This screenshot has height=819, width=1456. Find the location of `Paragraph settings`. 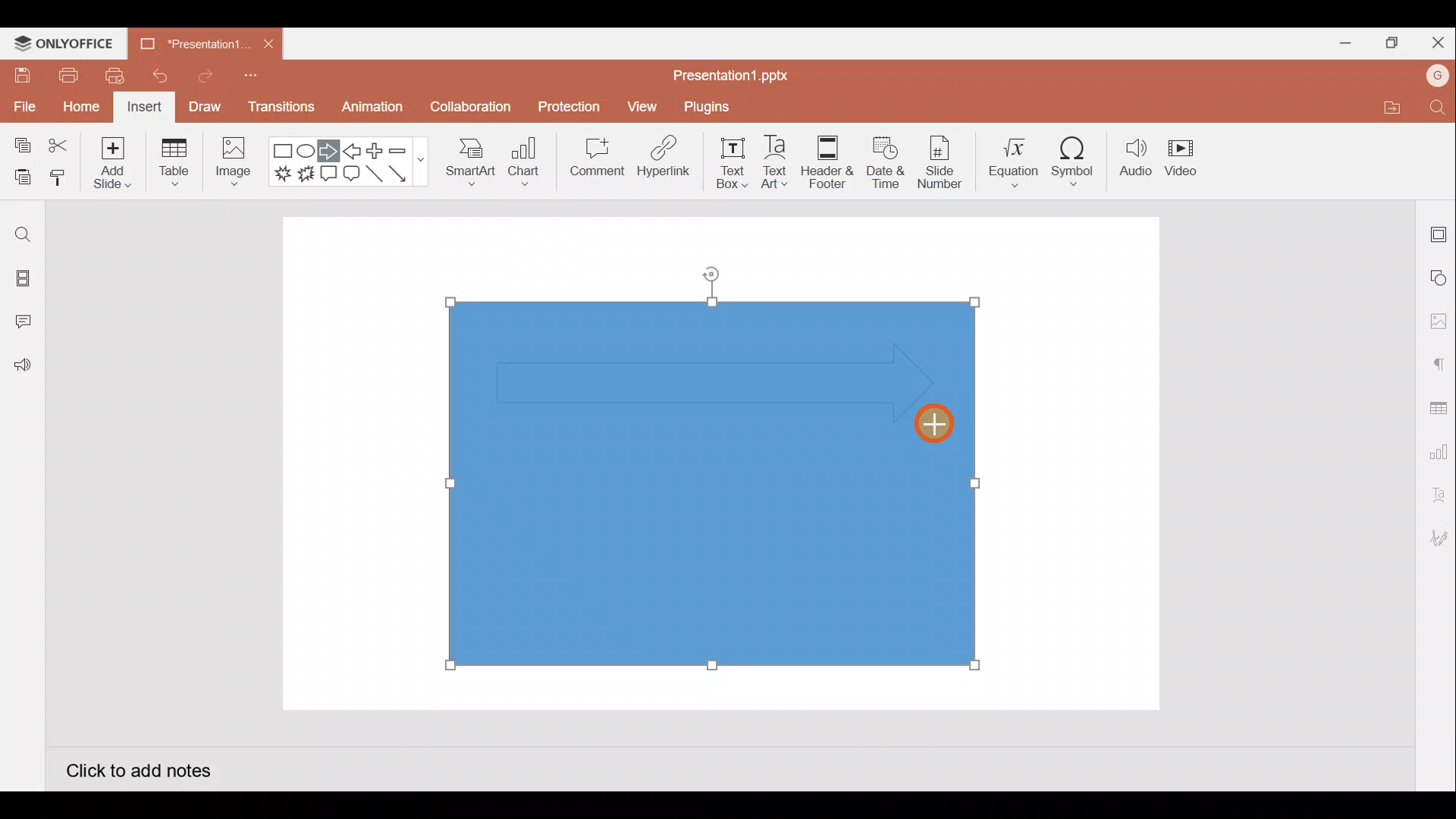

Paragraph settings is located at coordinates (1438, 362).